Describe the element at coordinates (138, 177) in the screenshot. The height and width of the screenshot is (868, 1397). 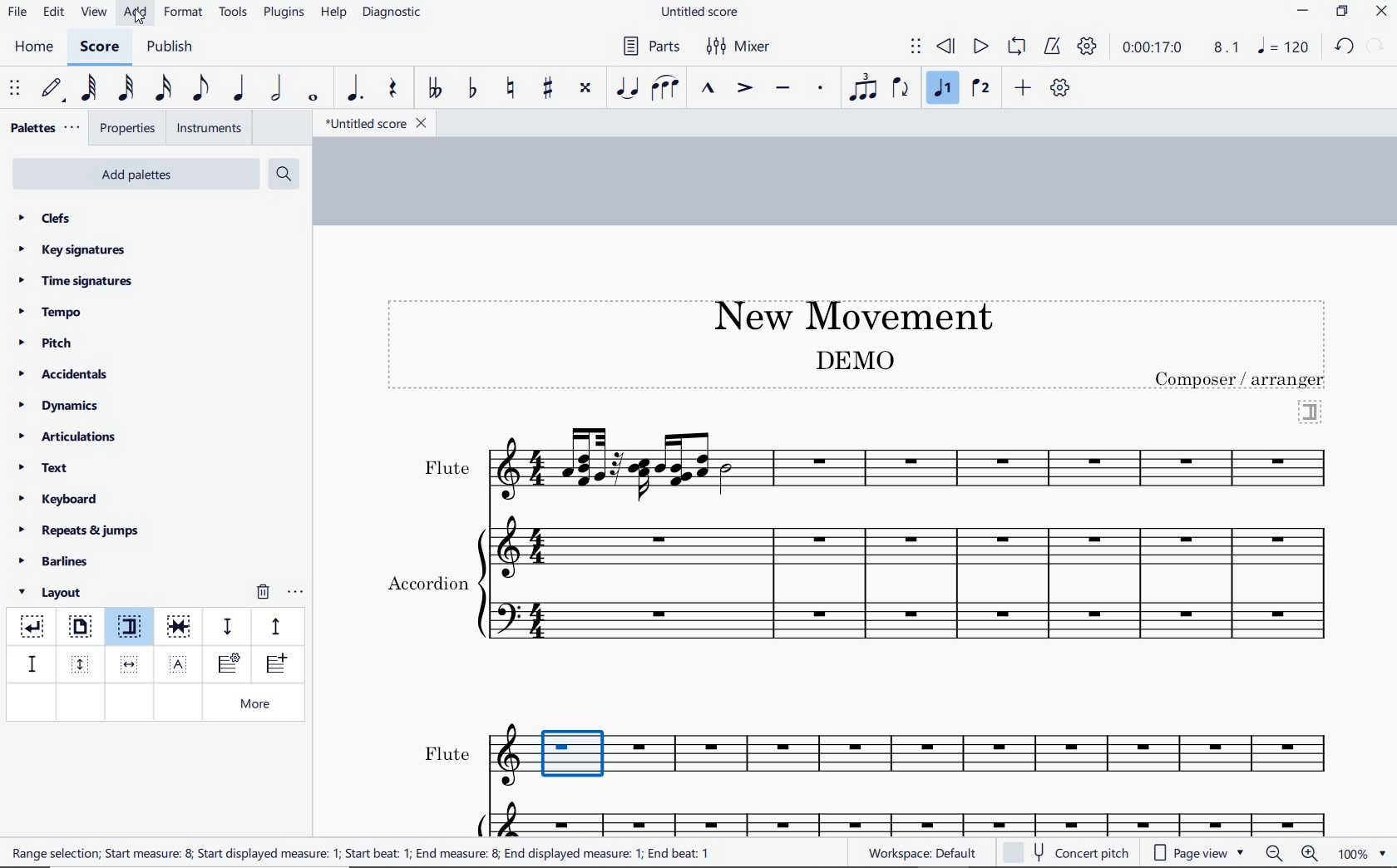
I see `add palettes` at that location.